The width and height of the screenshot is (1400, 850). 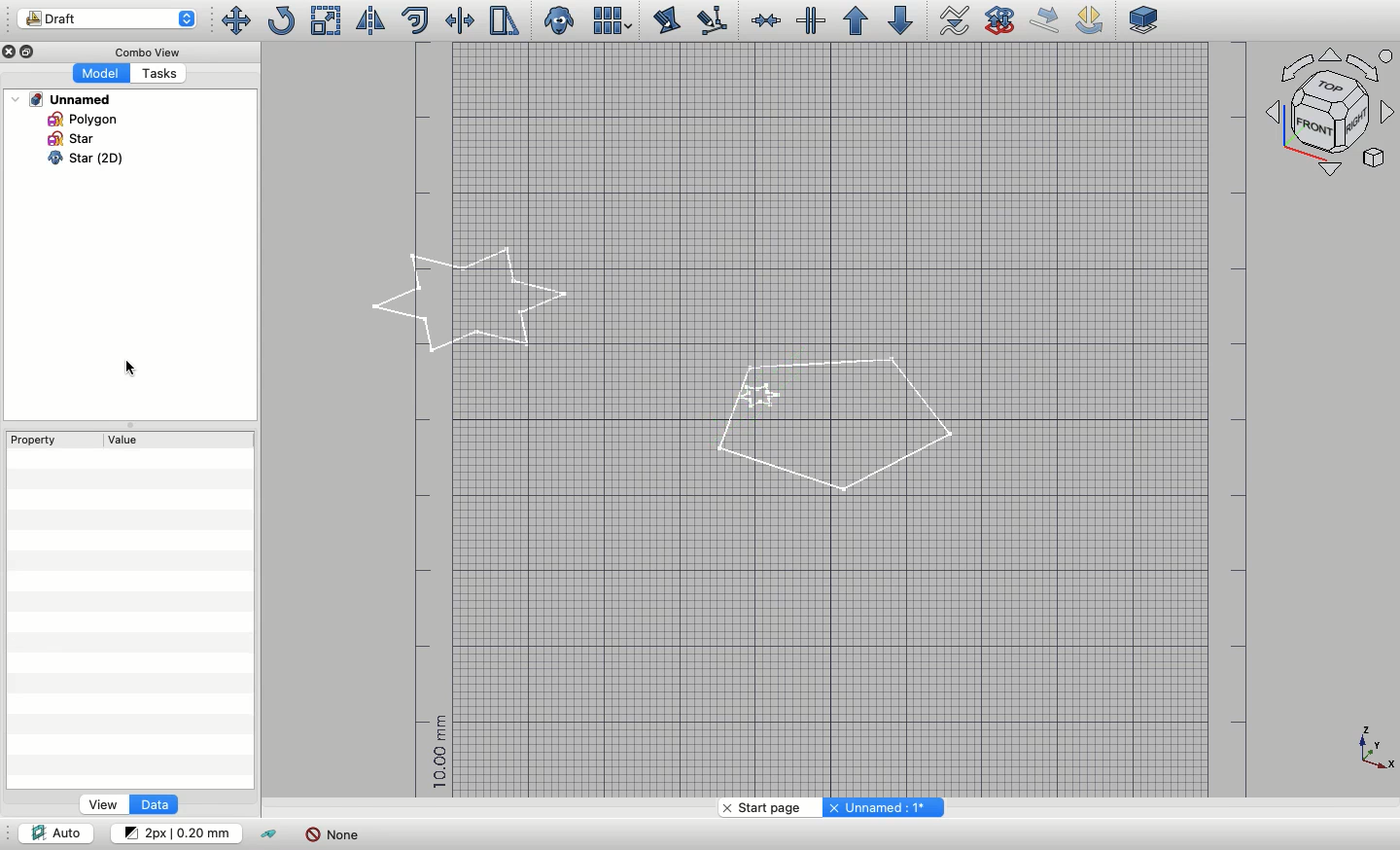 What do you see at coordinates (1090, 21) in the screenshot?
I see `Draft rotate` at bounding box center [1090, 21].